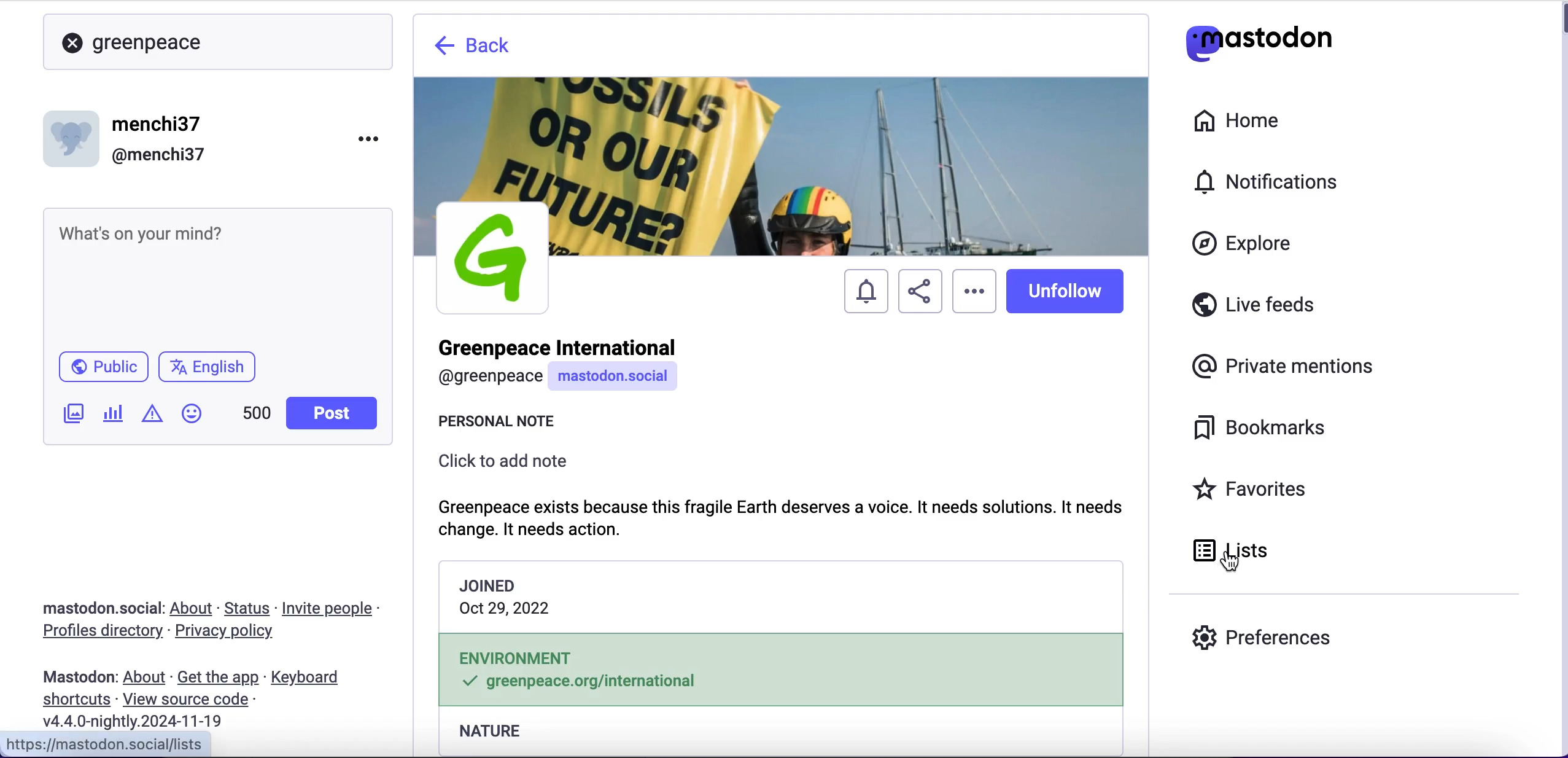 This screenshot has height=758, width=1568. Describe the element at coordinates (194, 608) in the screenshot. I see `about` at that location.